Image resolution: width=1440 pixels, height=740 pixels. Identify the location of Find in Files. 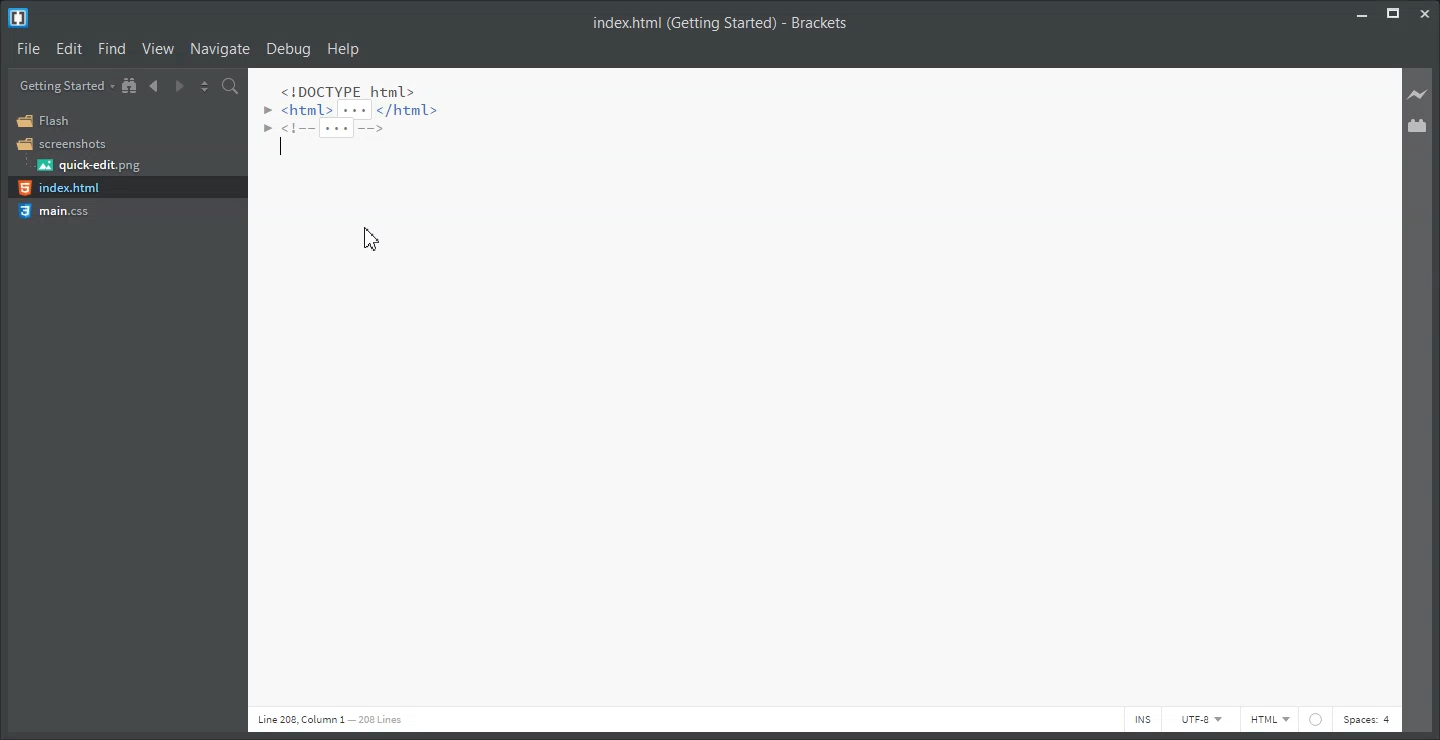
(231, 86).